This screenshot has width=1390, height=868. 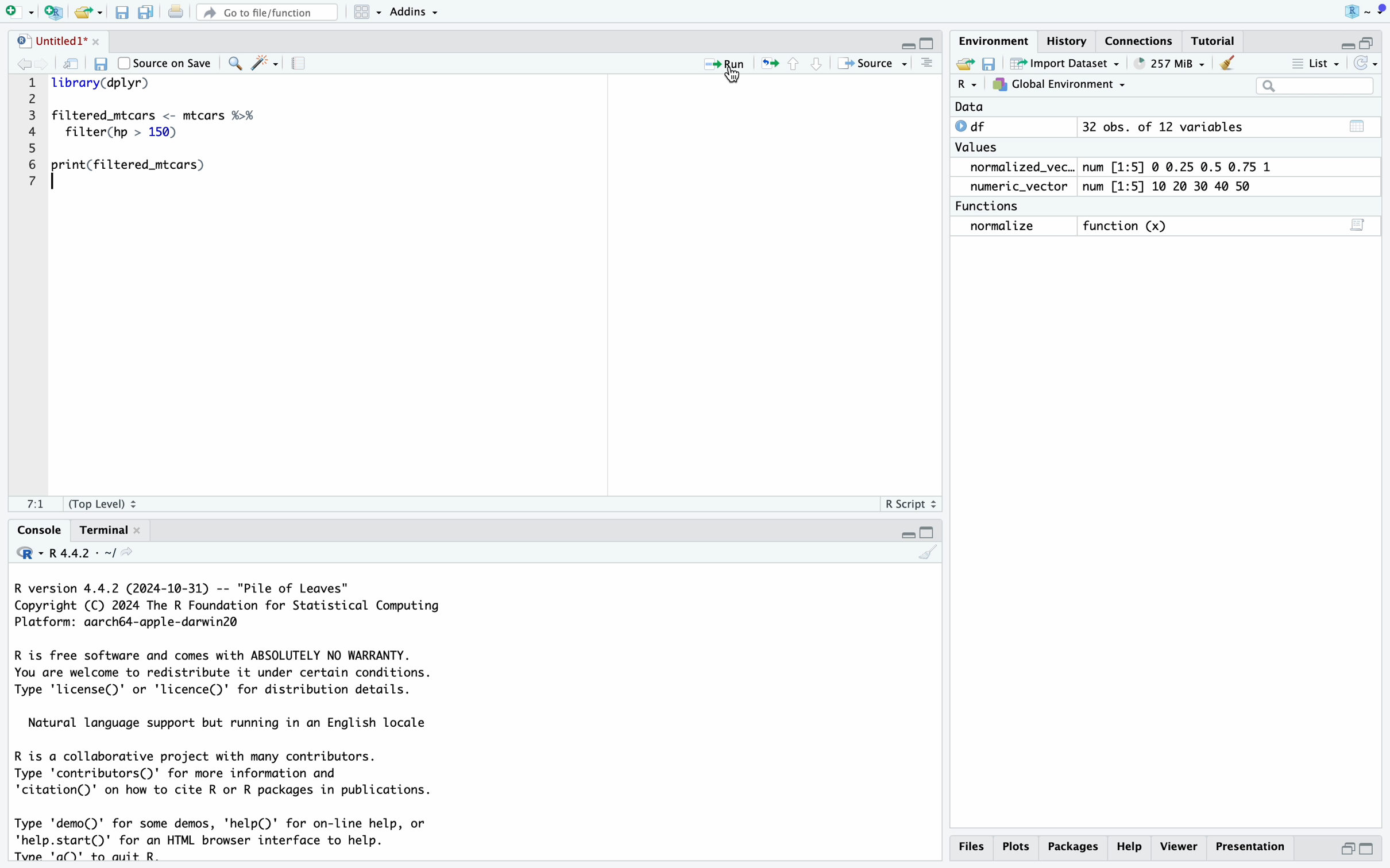 What do you see at coordinates (1072, 846) in the screenshot?
I see `Help` at bounding box center [1072, 846].